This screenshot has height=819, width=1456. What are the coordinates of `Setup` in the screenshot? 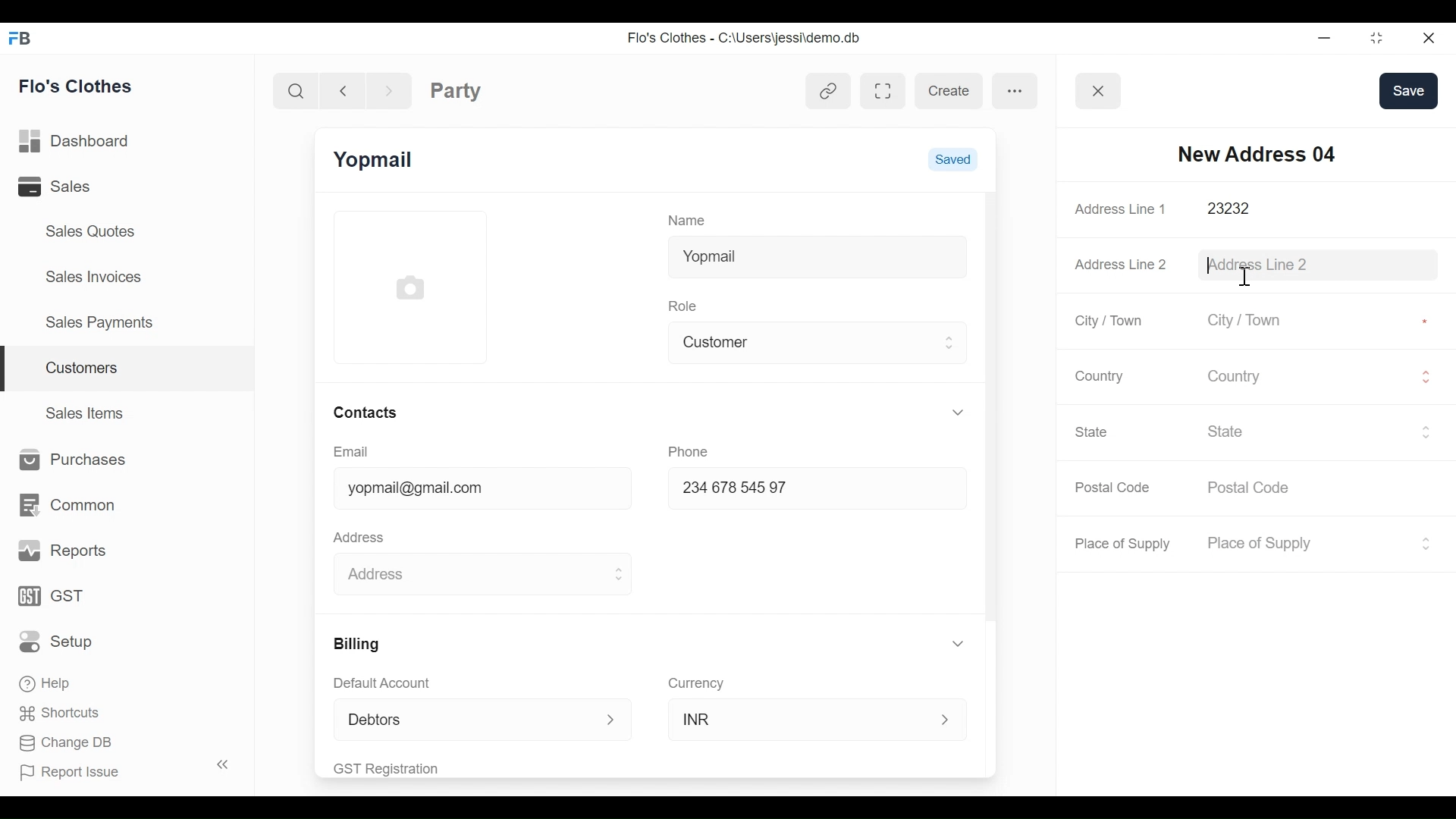 It's located at (60, 641).